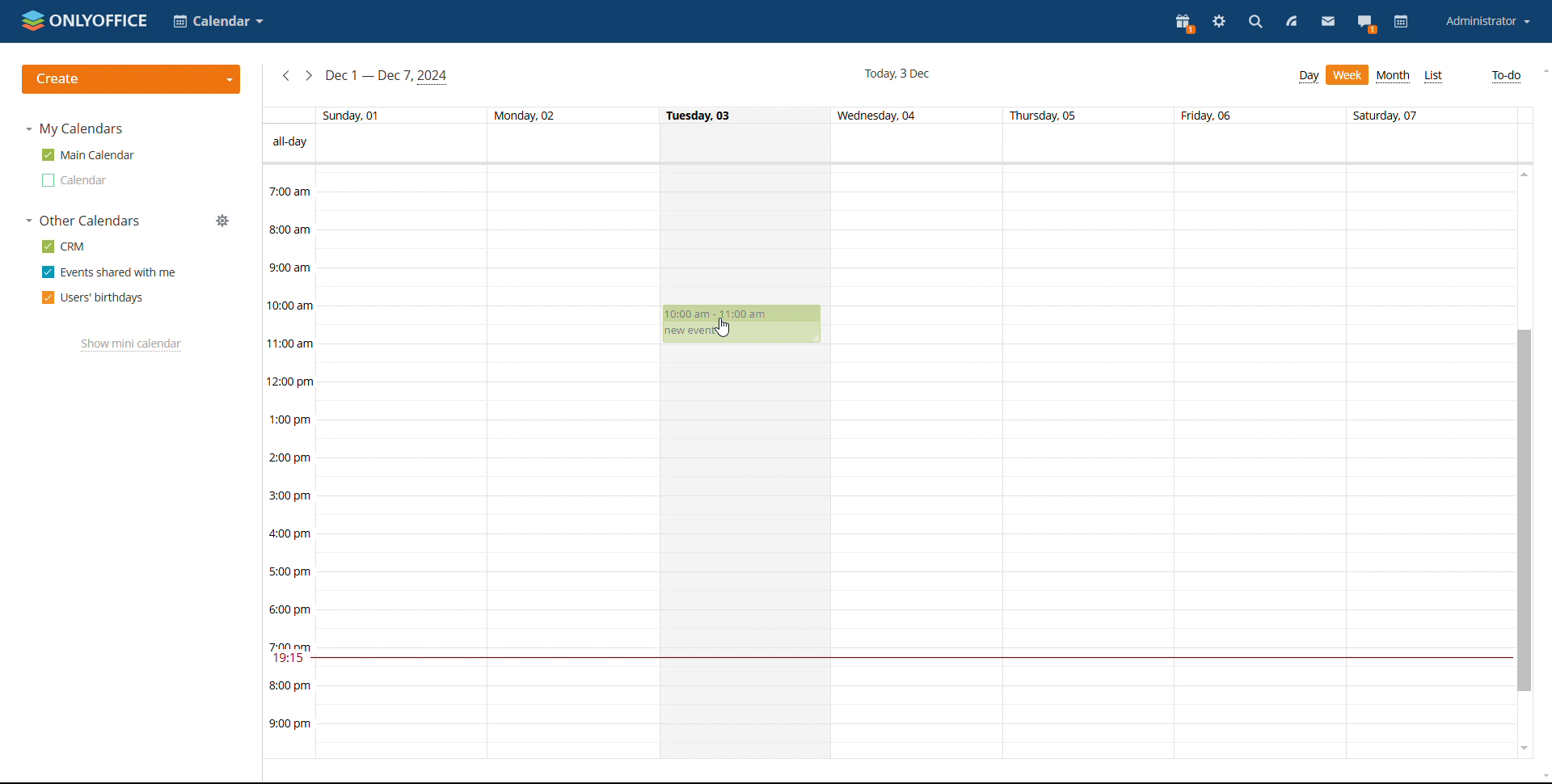 This screenshot has height=784, width=1552. I want to click on scroll down, so click(1542, 776).